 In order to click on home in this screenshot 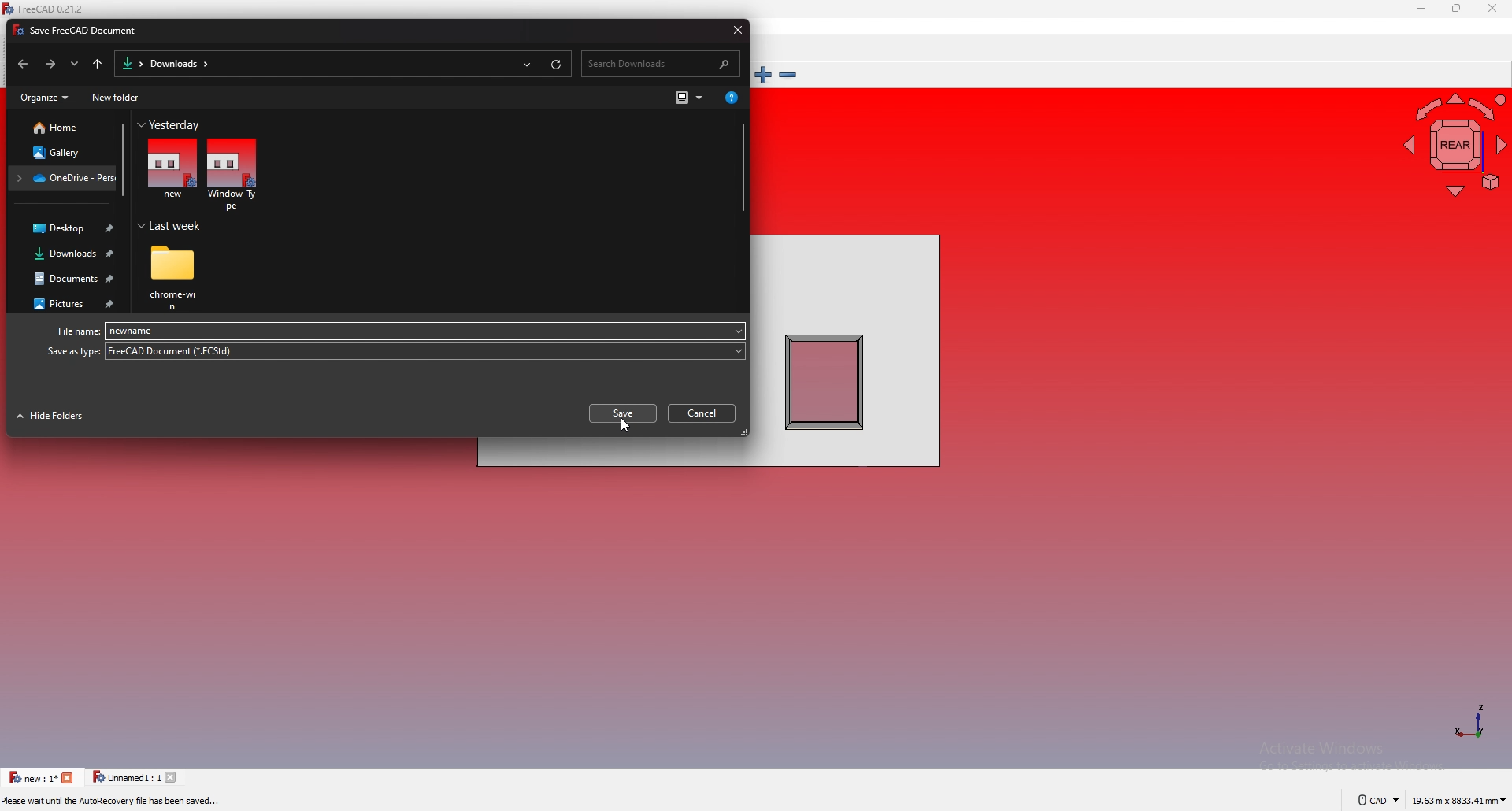, I will do `click(61, 128)`.